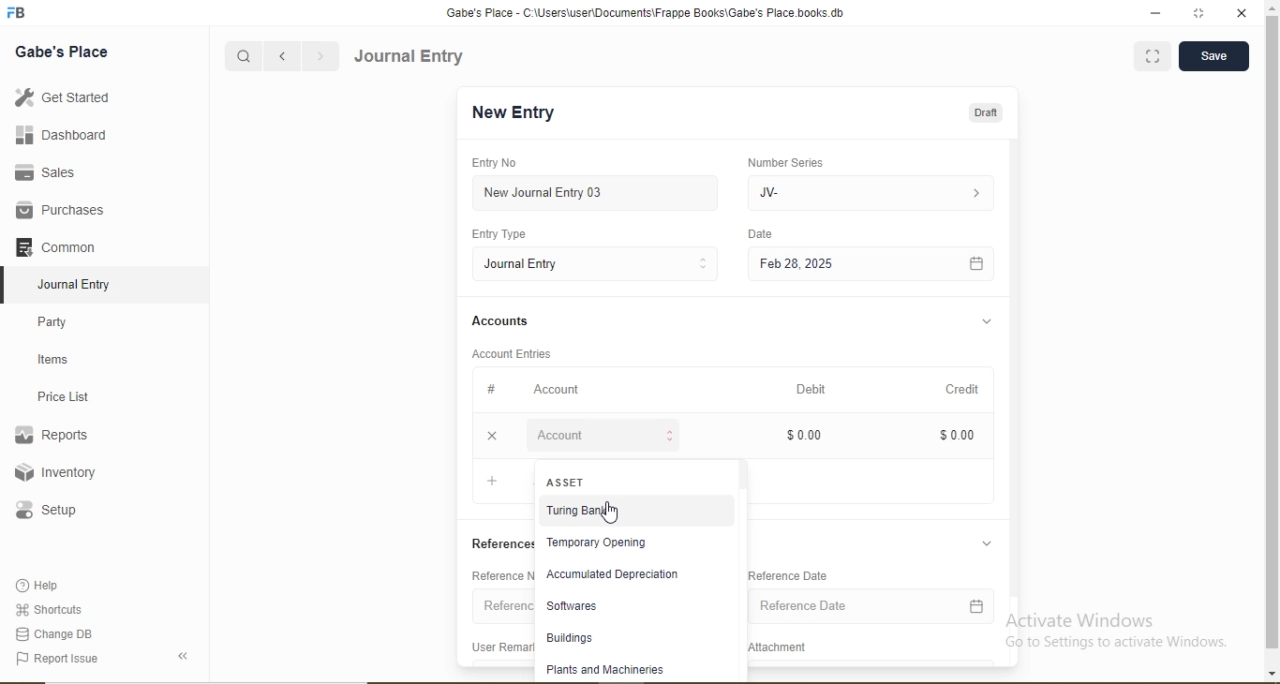 The image size is (1280, 684). I want to click on Stepper Buttons, so click(705, 265).